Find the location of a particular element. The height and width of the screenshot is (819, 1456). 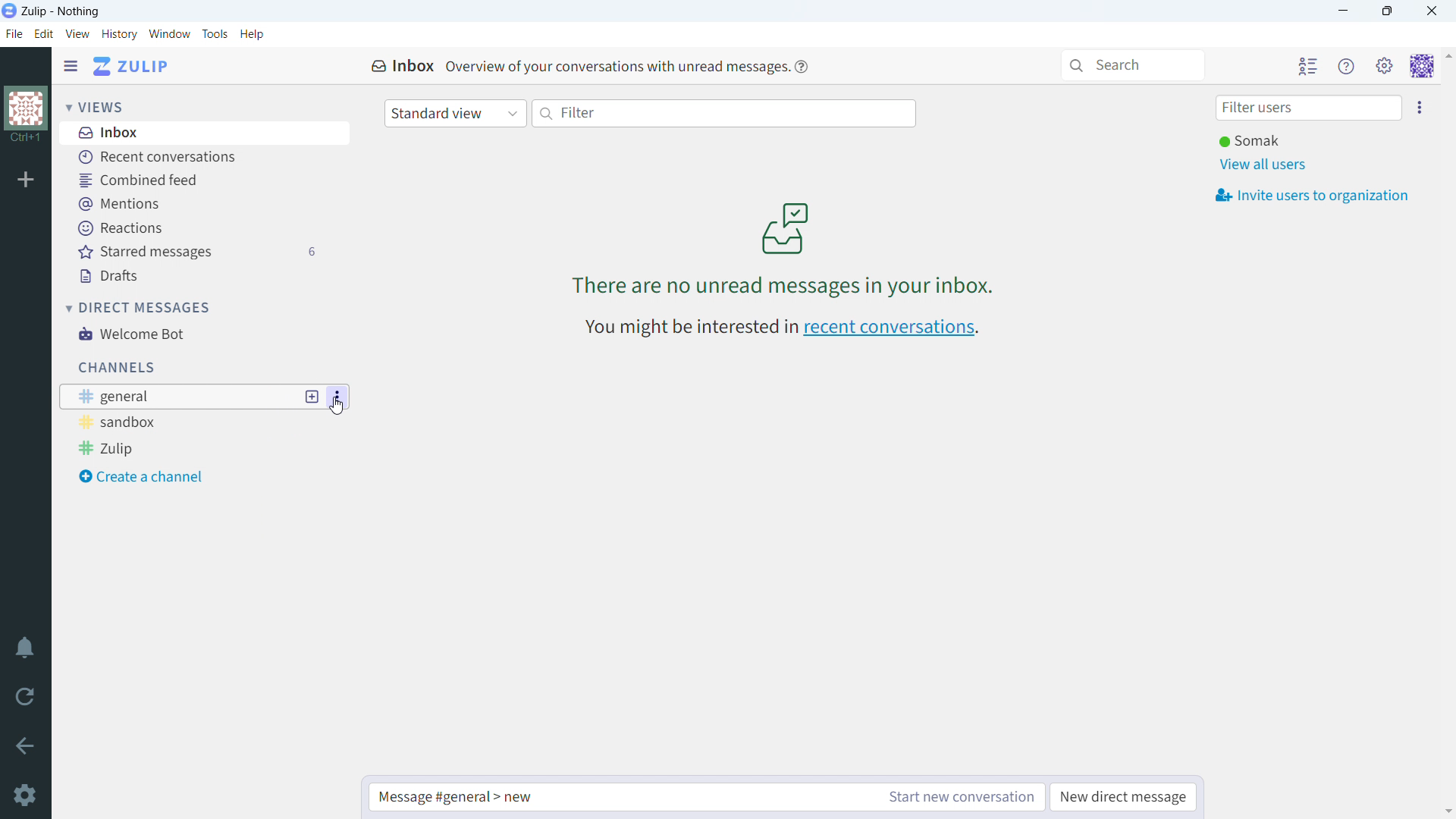

invite users is located at coordinates (1419, 108).